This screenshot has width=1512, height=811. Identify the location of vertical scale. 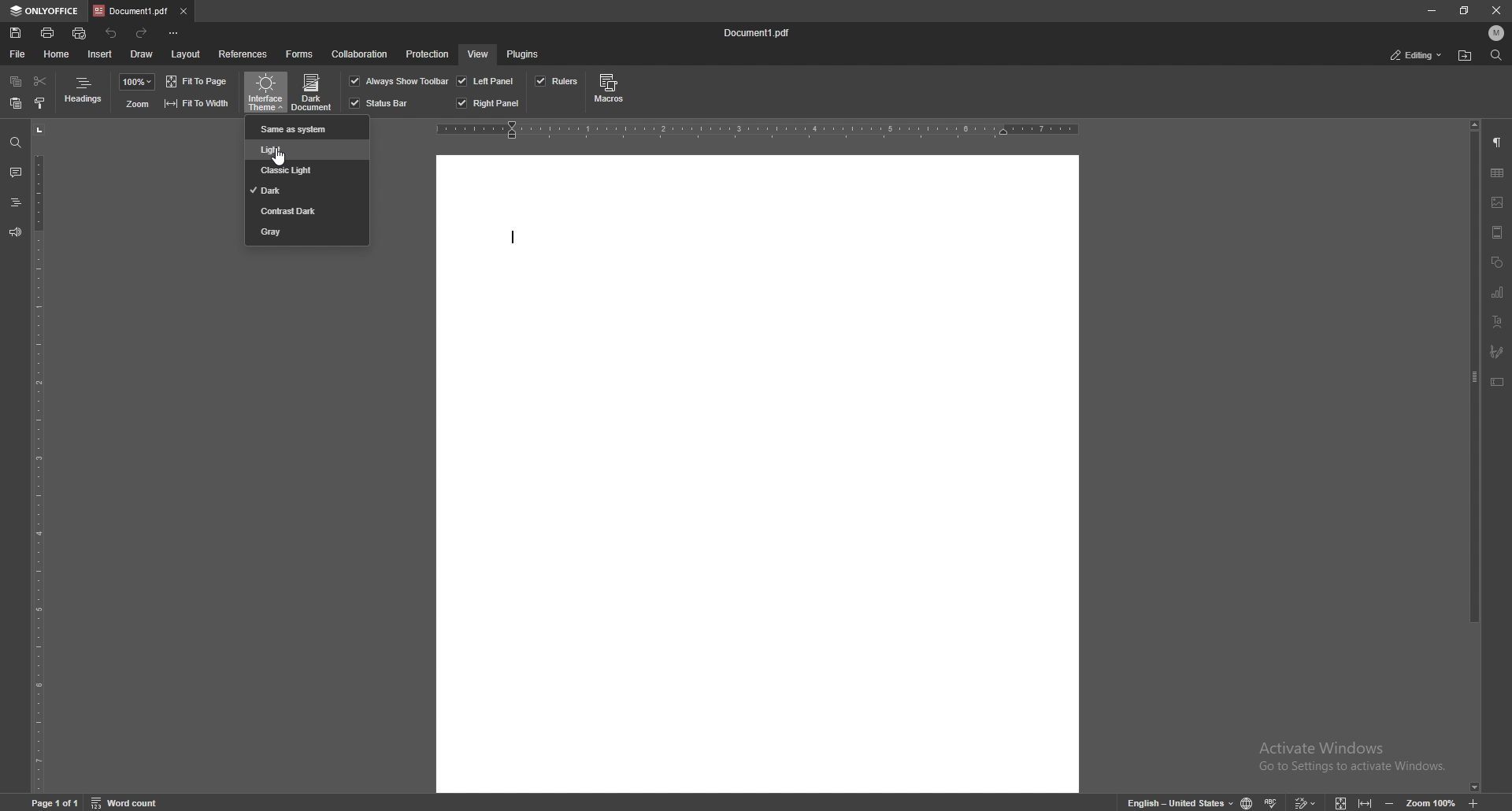
(39, 457).